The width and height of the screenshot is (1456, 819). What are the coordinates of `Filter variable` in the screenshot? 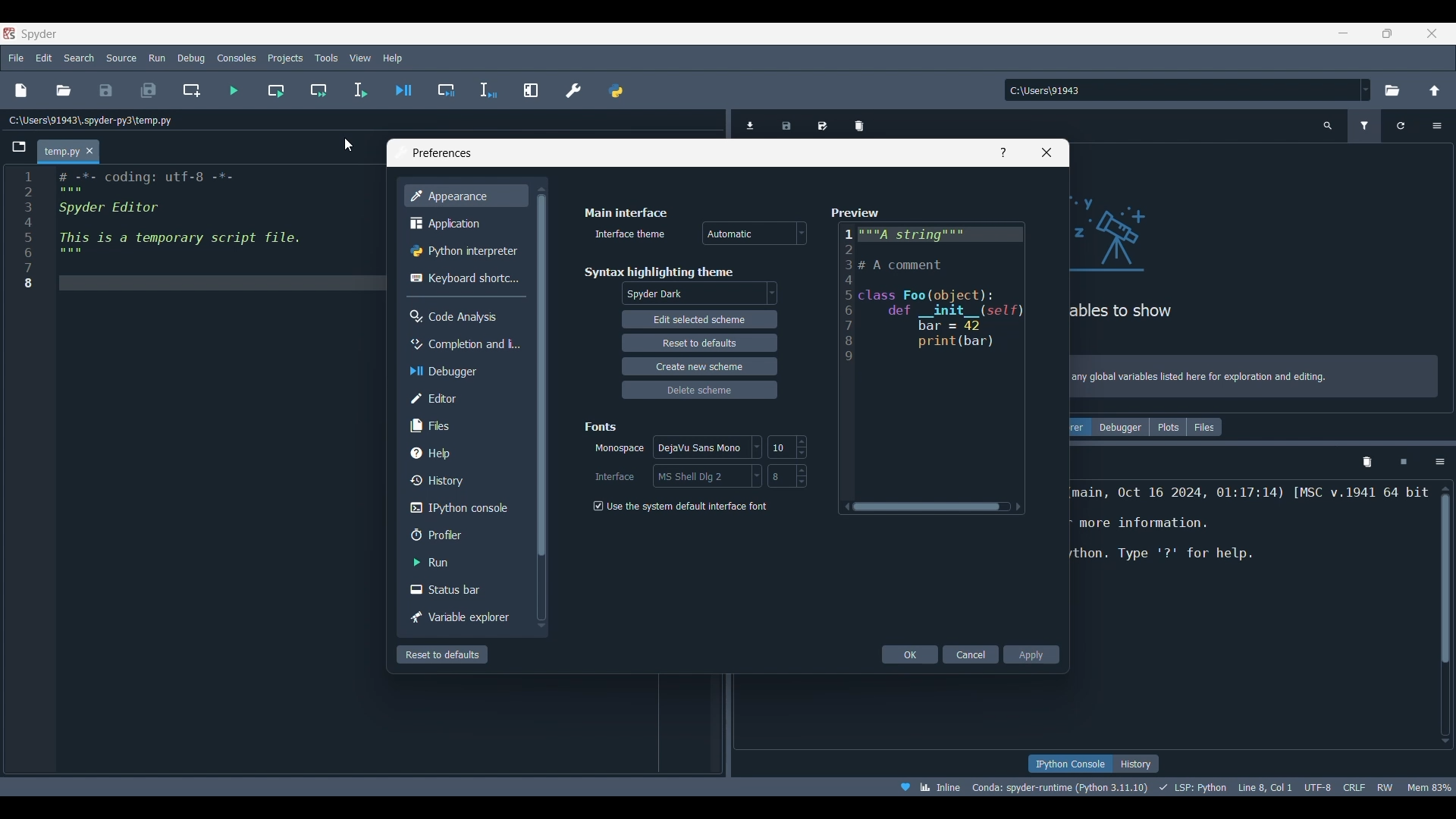 It's located at (1364, 127).